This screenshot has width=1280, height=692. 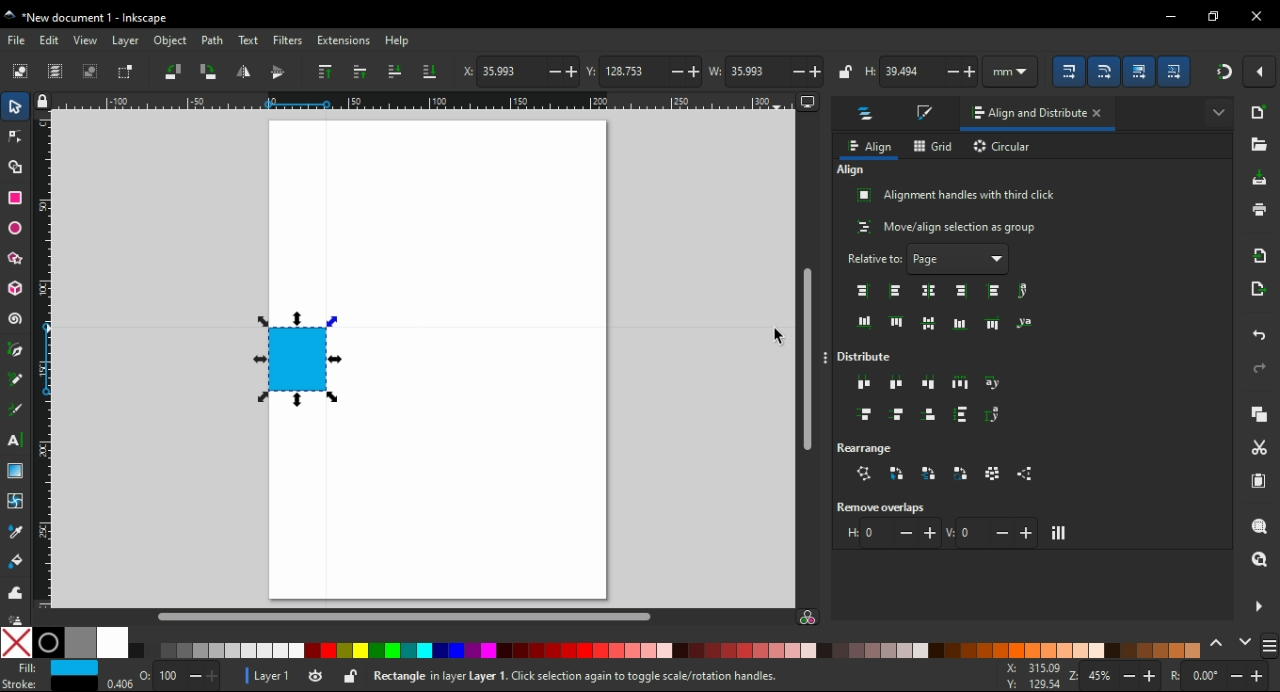 What do you see at coordinates (1226, 75) in the screenshot?
I see `snap` at bounding box center [1226, 75].